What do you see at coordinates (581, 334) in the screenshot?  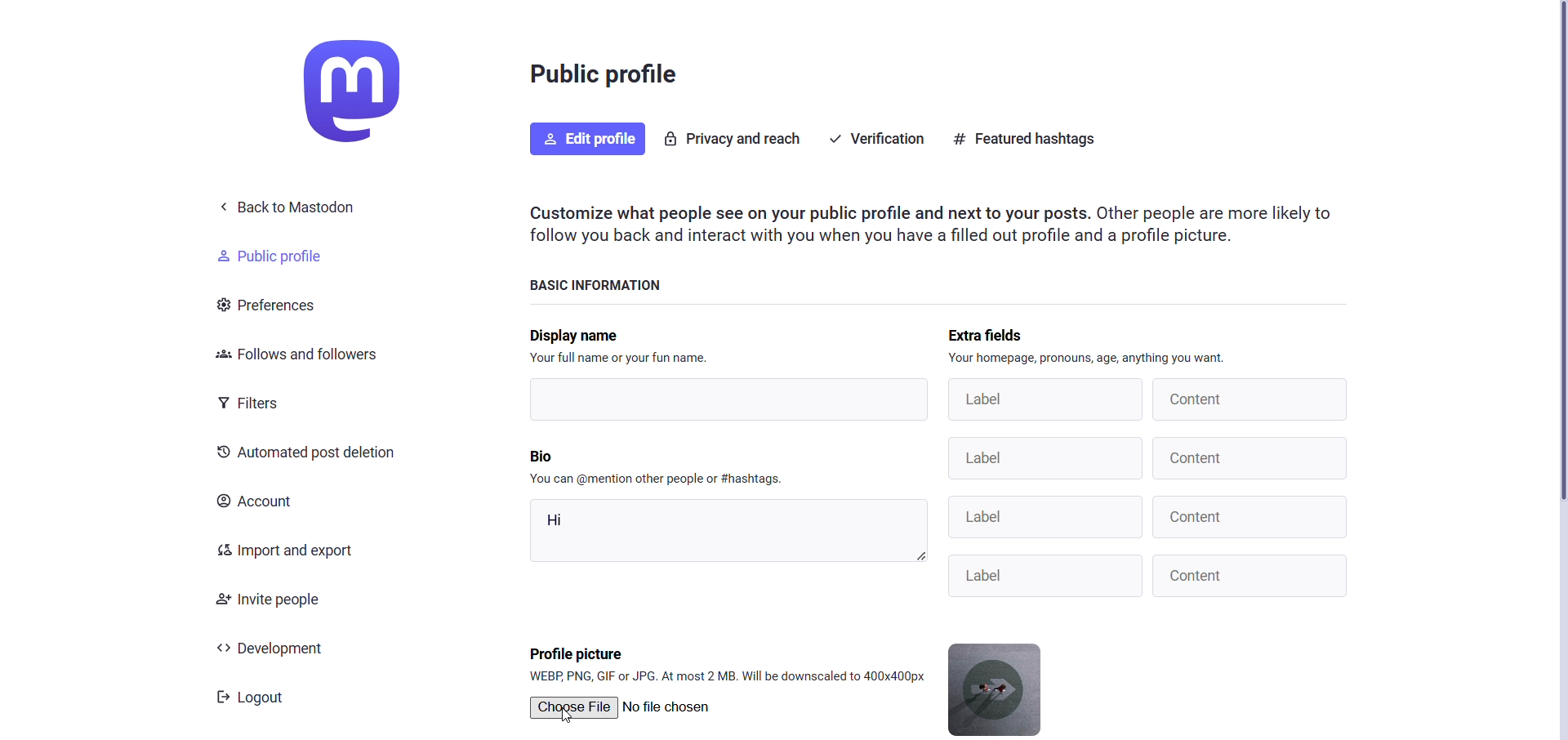 I see `display name` at bounding box center [581, 334].